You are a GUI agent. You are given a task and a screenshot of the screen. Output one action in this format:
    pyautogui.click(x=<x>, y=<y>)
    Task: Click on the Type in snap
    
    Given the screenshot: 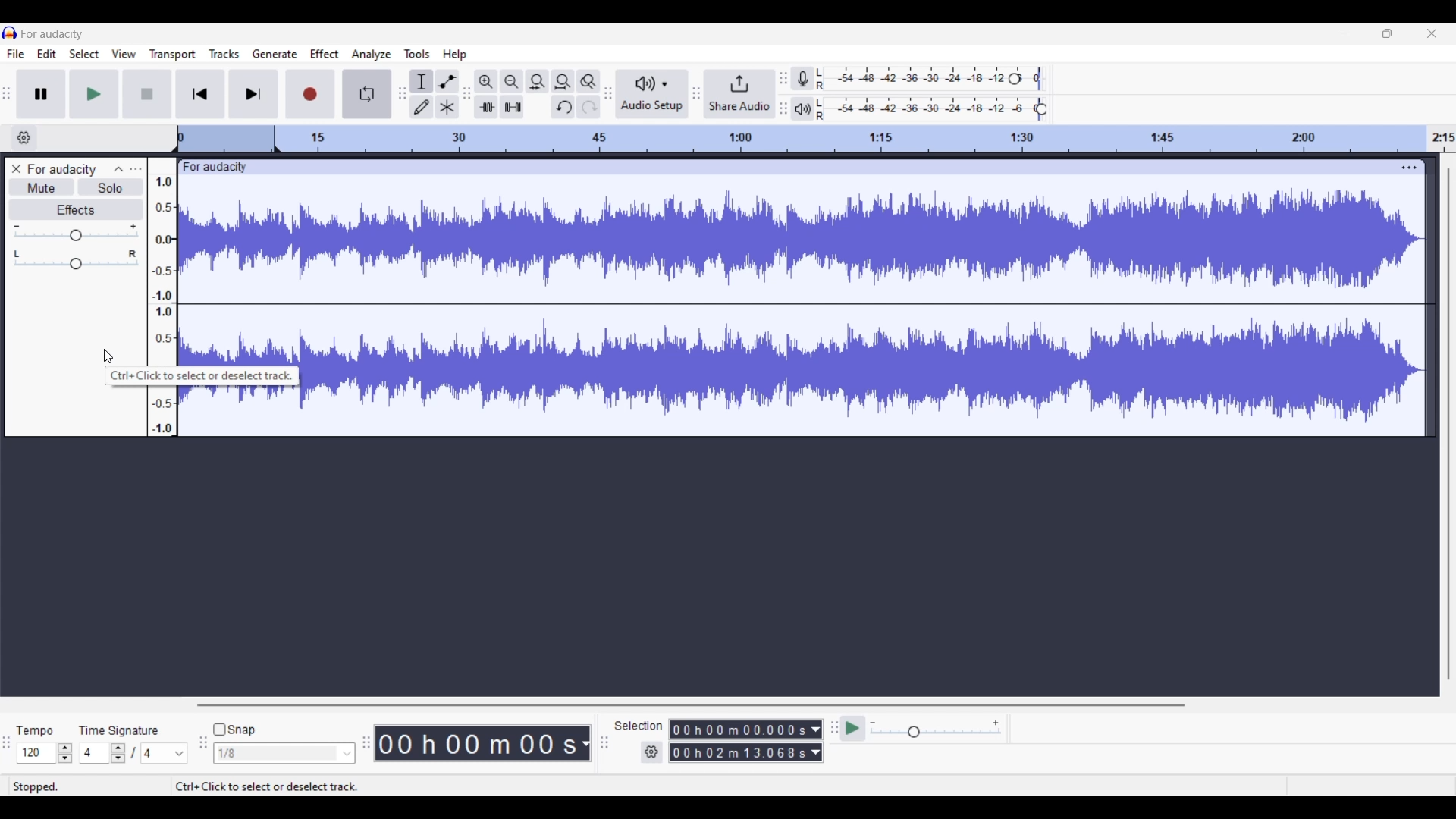 What is the action you would take?
    pyautogui.click(x=277, y=754)
    